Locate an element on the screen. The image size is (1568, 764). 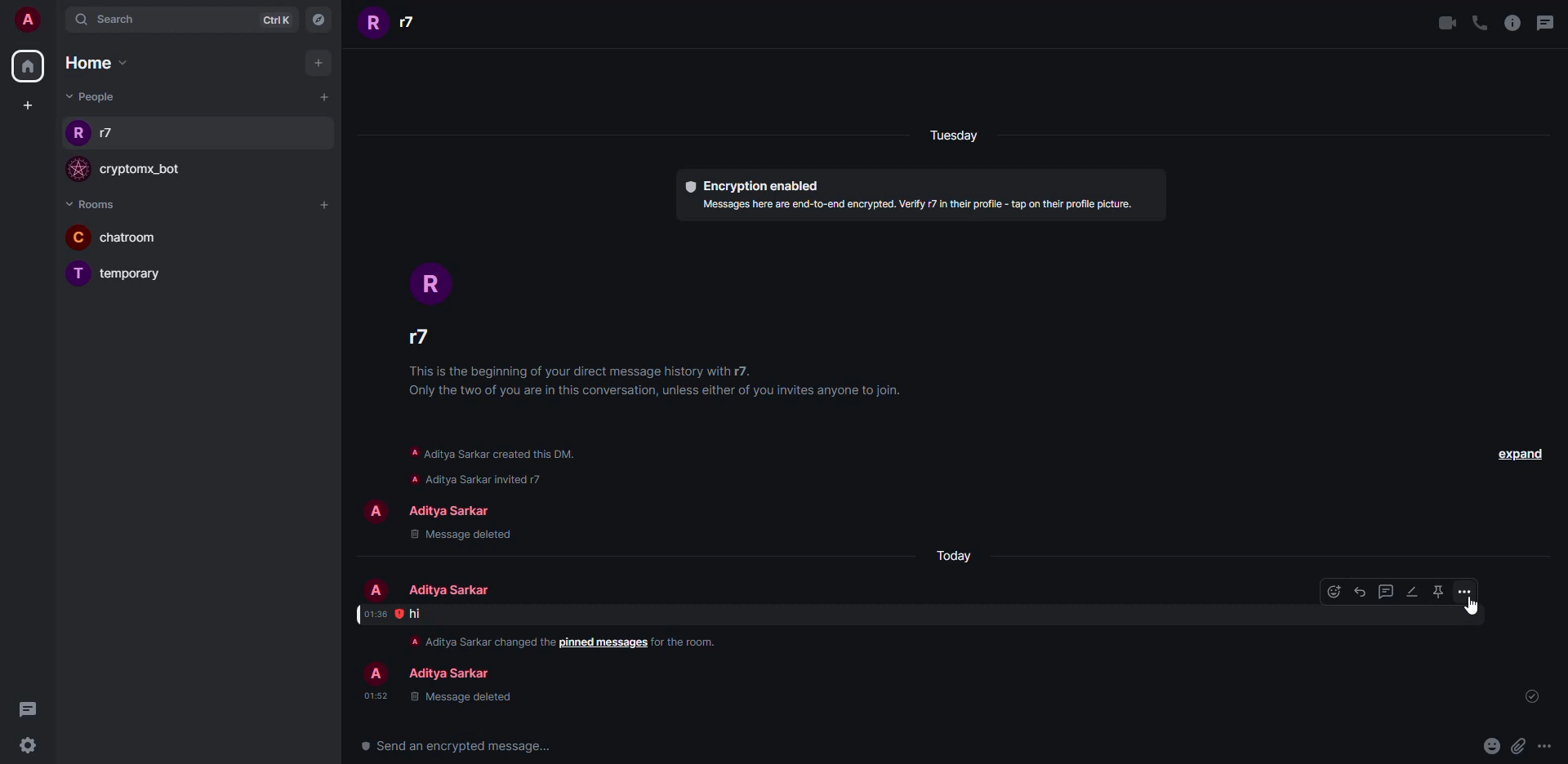
voice call is located at coordinates (1480, 22).